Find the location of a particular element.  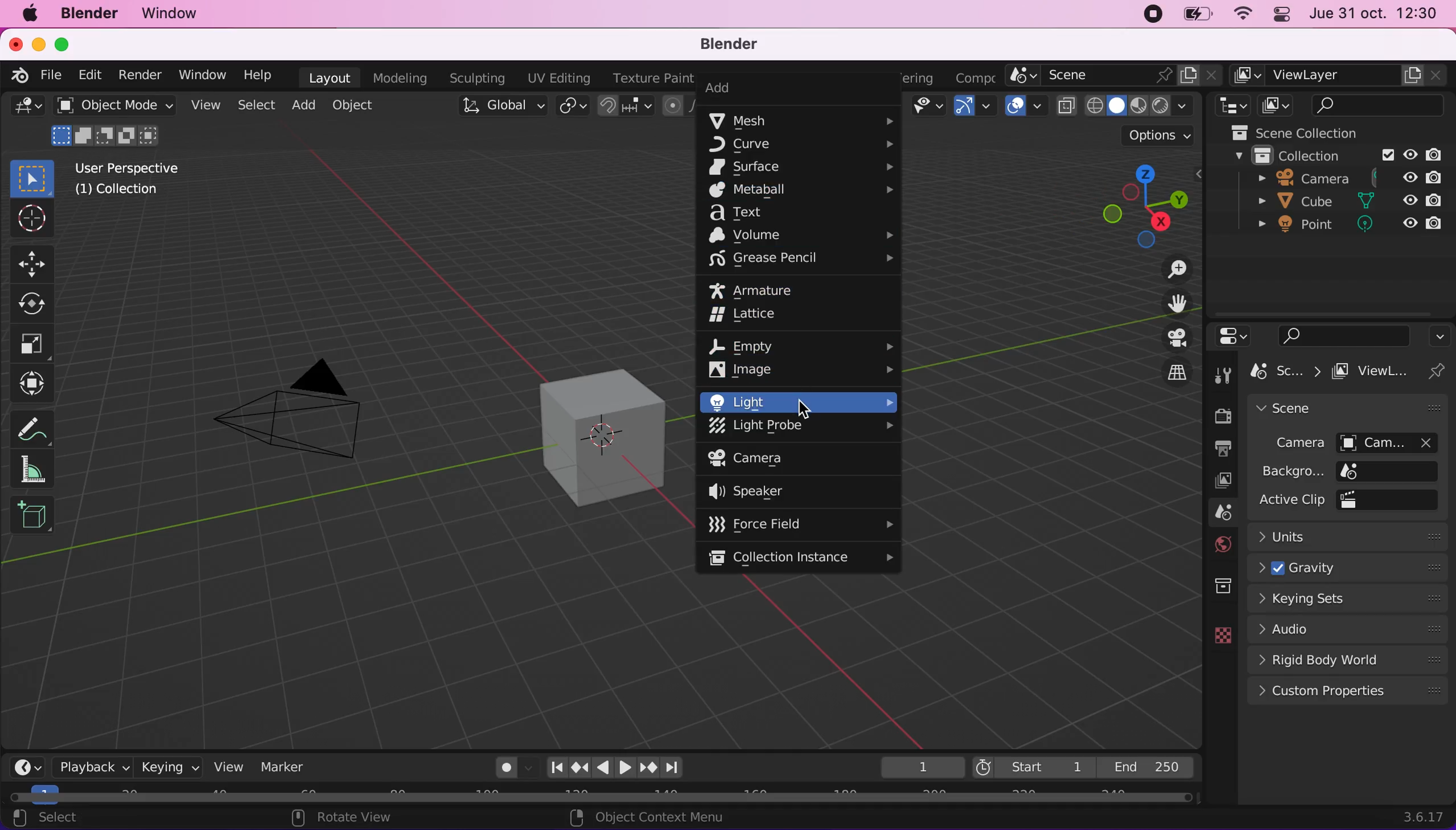

cursor is located at coordinates (31, 219).